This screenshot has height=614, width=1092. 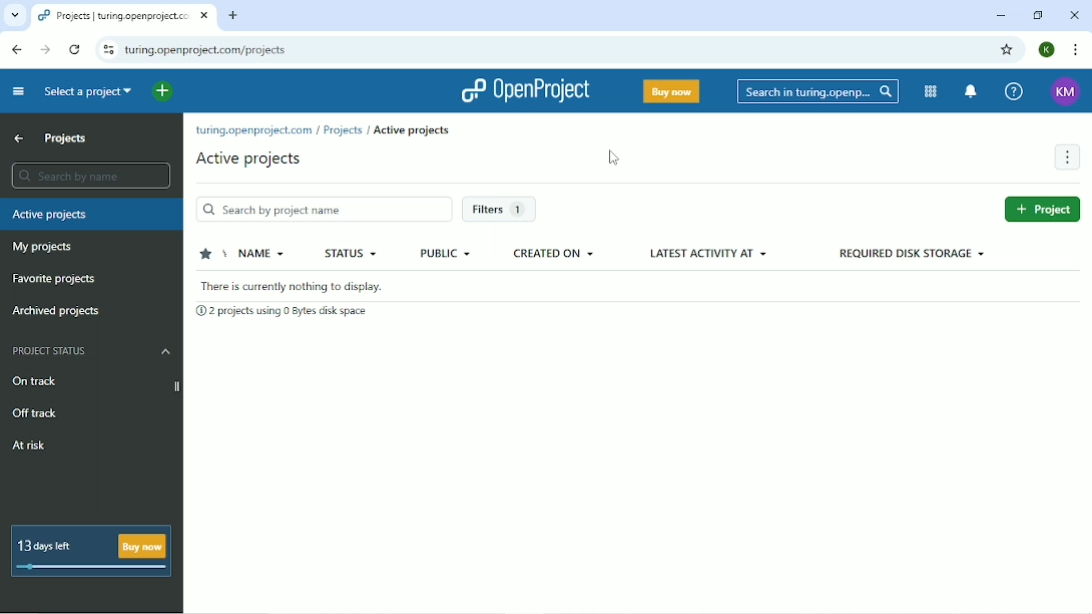 I want to click on Forward, so click(x=45, y=50).